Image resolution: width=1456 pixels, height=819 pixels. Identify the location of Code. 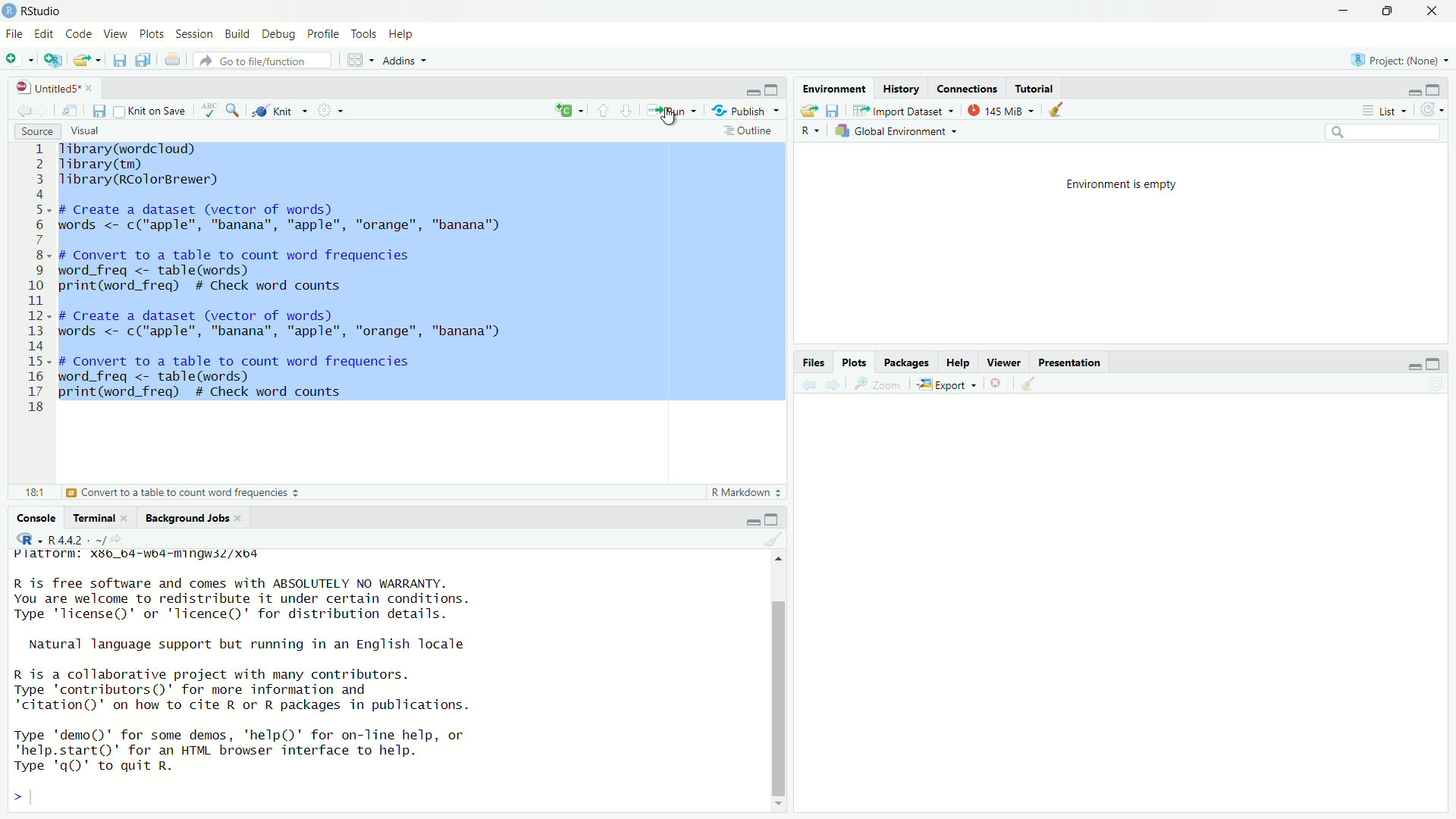
(78, 35).